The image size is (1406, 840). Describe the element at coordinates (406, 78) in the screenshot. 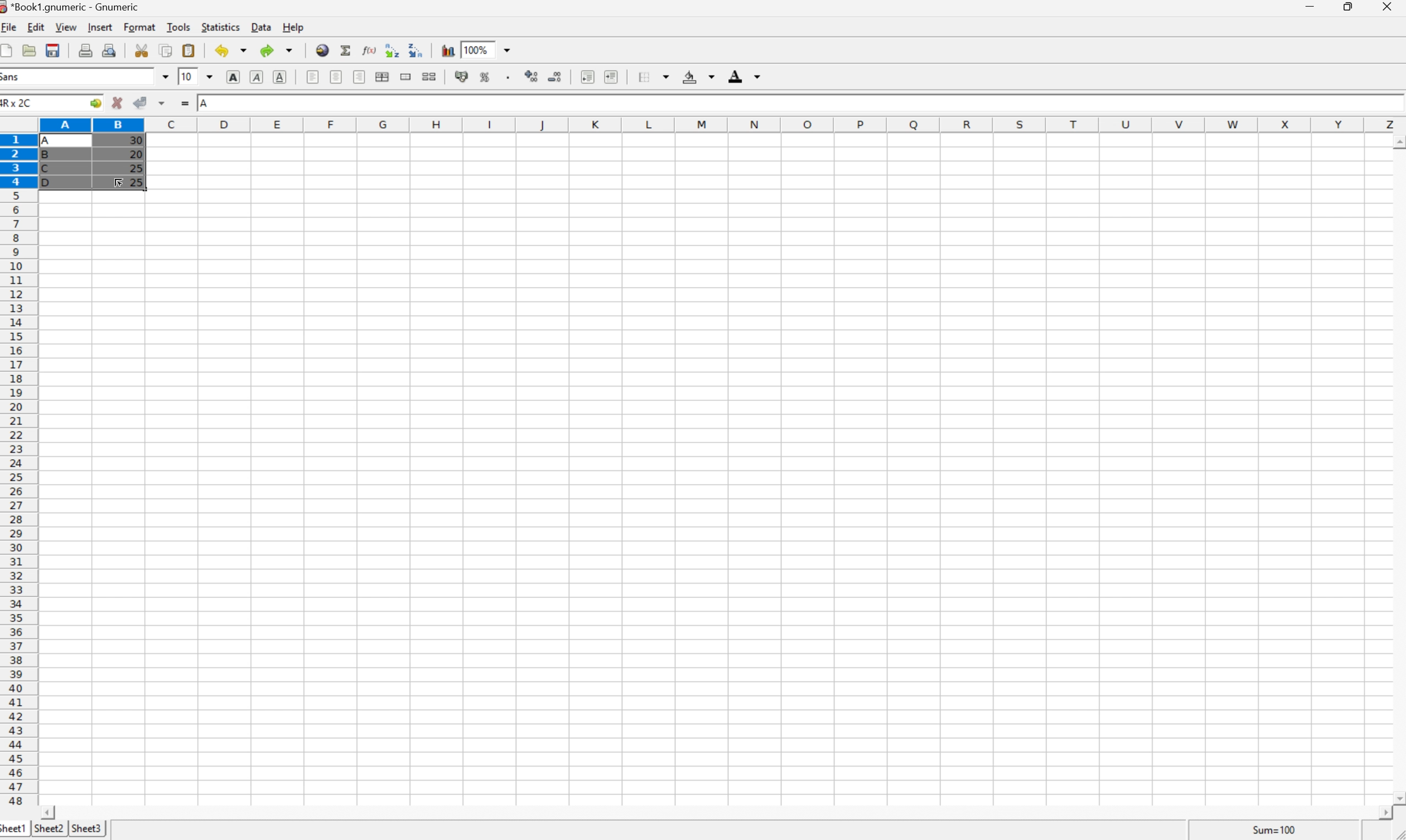

I see `Merge a range of cells` at that location.